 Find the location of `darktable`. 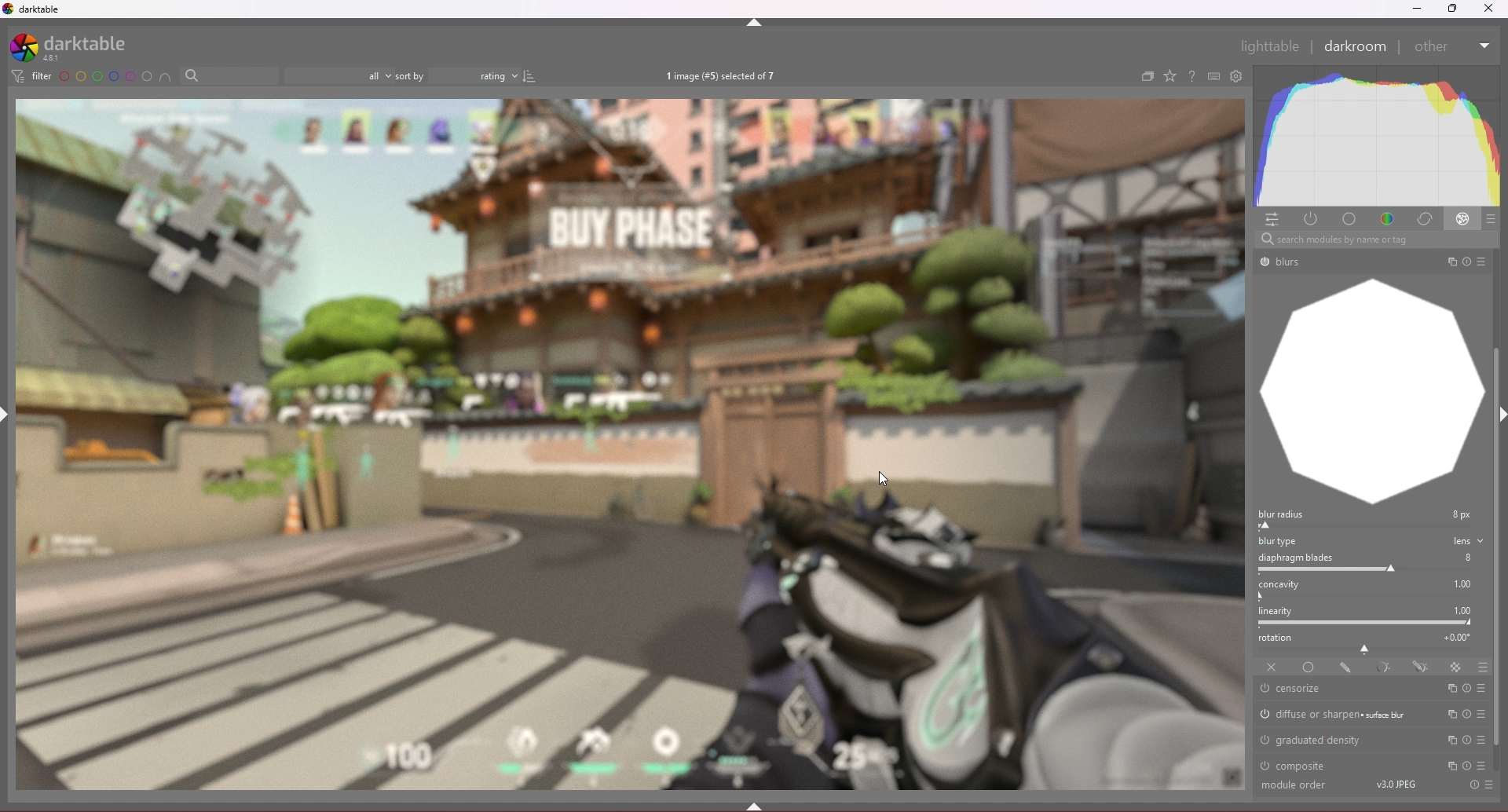

darktable is located at coordinates (39, 9).